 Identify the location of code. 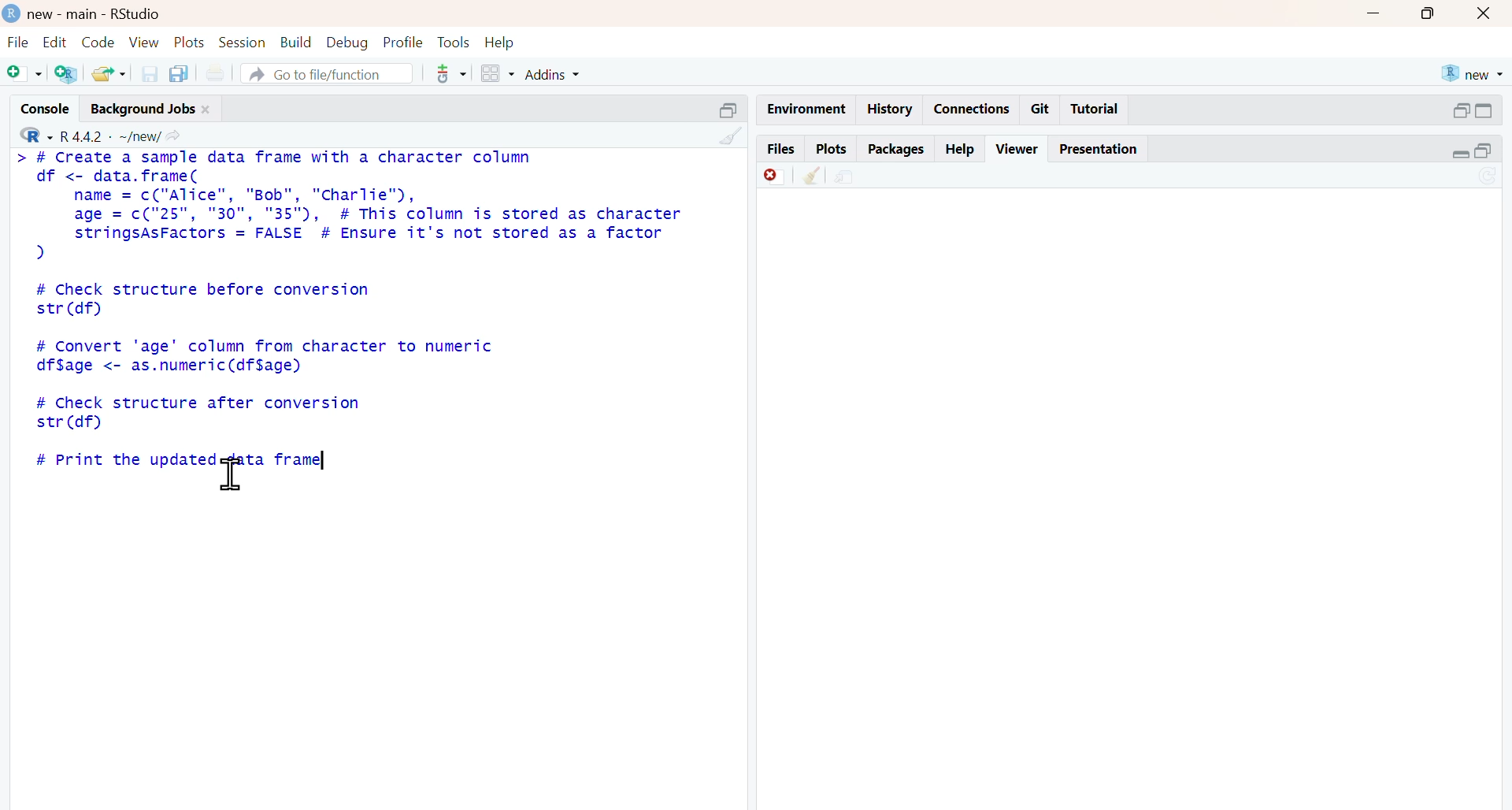
(98, 42).